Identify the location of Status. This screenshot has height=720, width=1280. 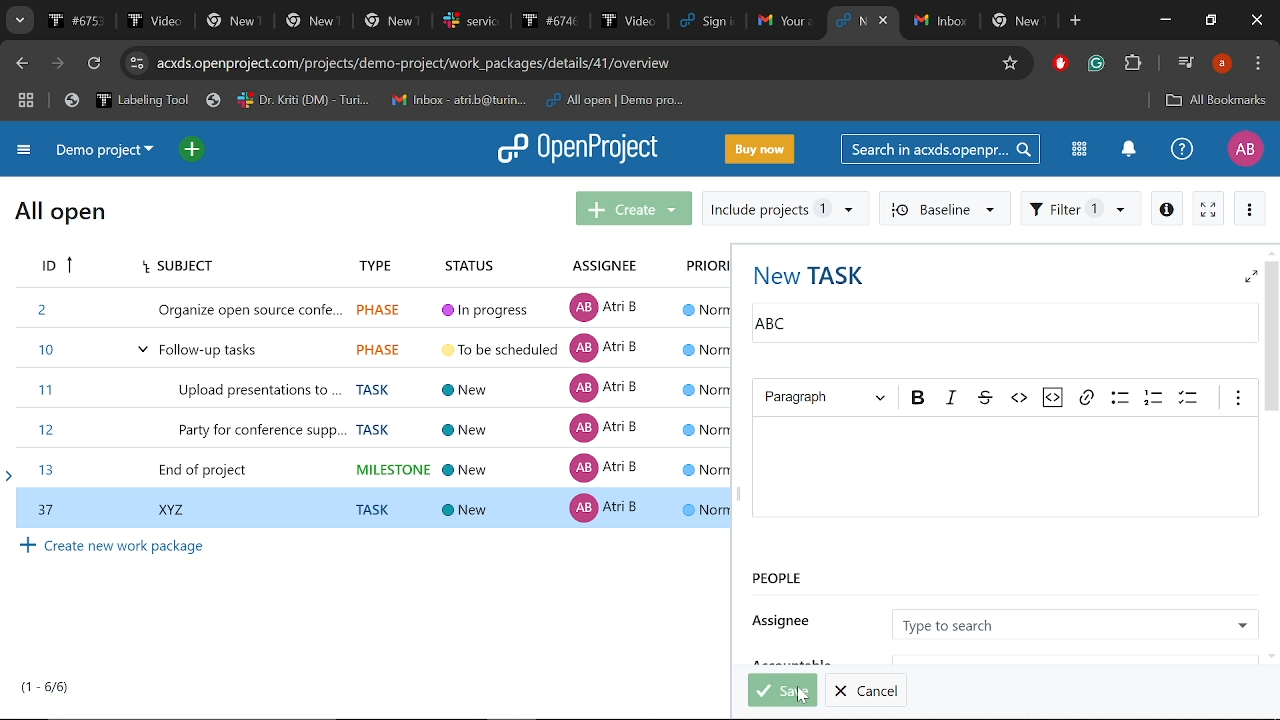
(478, 261).